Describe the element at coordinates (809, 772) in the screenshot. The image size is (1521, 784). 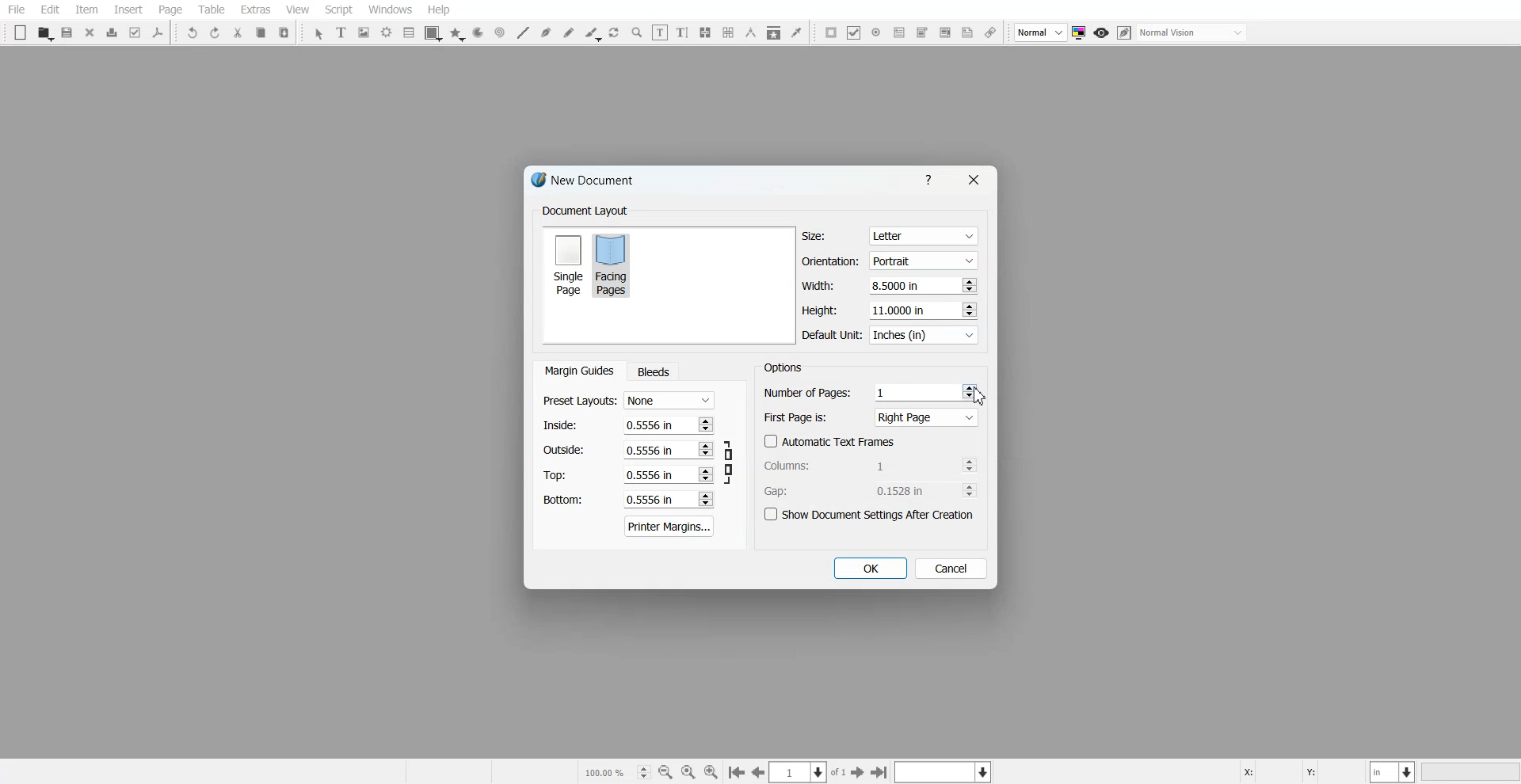
I see `Select the current page` at that location.